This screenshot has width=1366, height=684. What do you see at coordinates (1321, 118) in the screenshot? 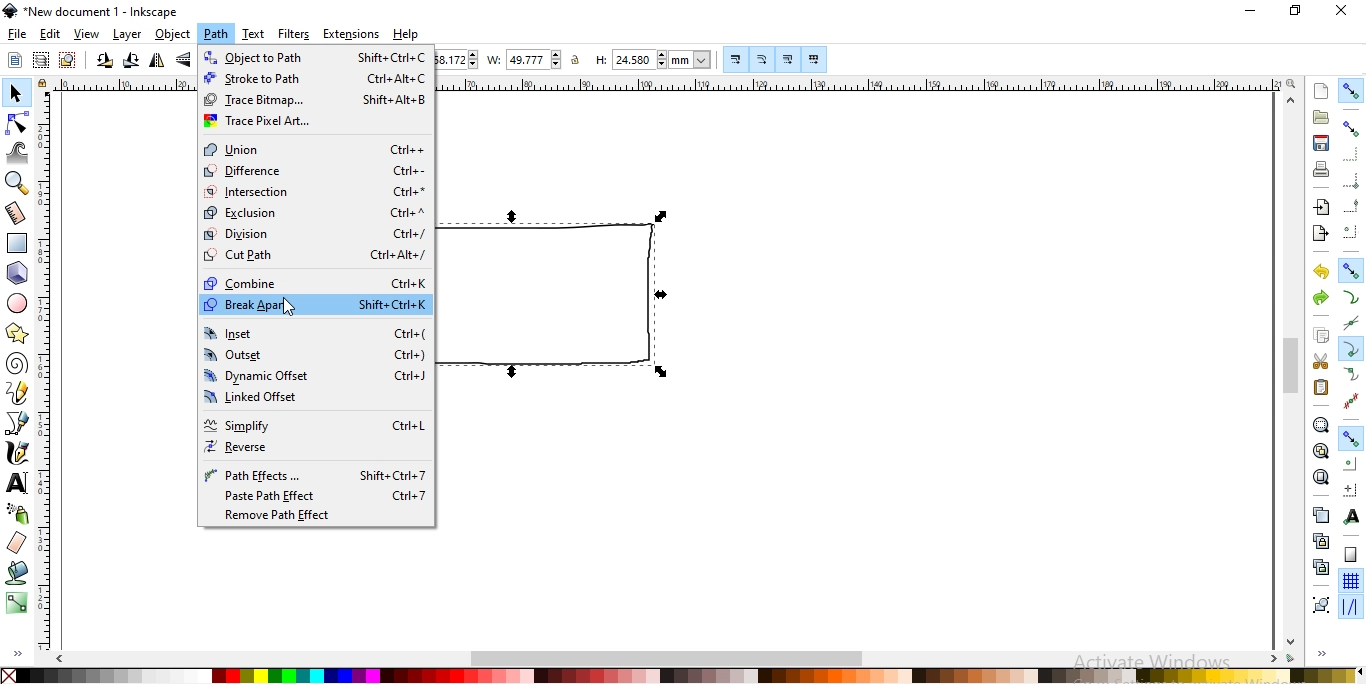
I see `open an existing document` at bounding box center [1321, 118].